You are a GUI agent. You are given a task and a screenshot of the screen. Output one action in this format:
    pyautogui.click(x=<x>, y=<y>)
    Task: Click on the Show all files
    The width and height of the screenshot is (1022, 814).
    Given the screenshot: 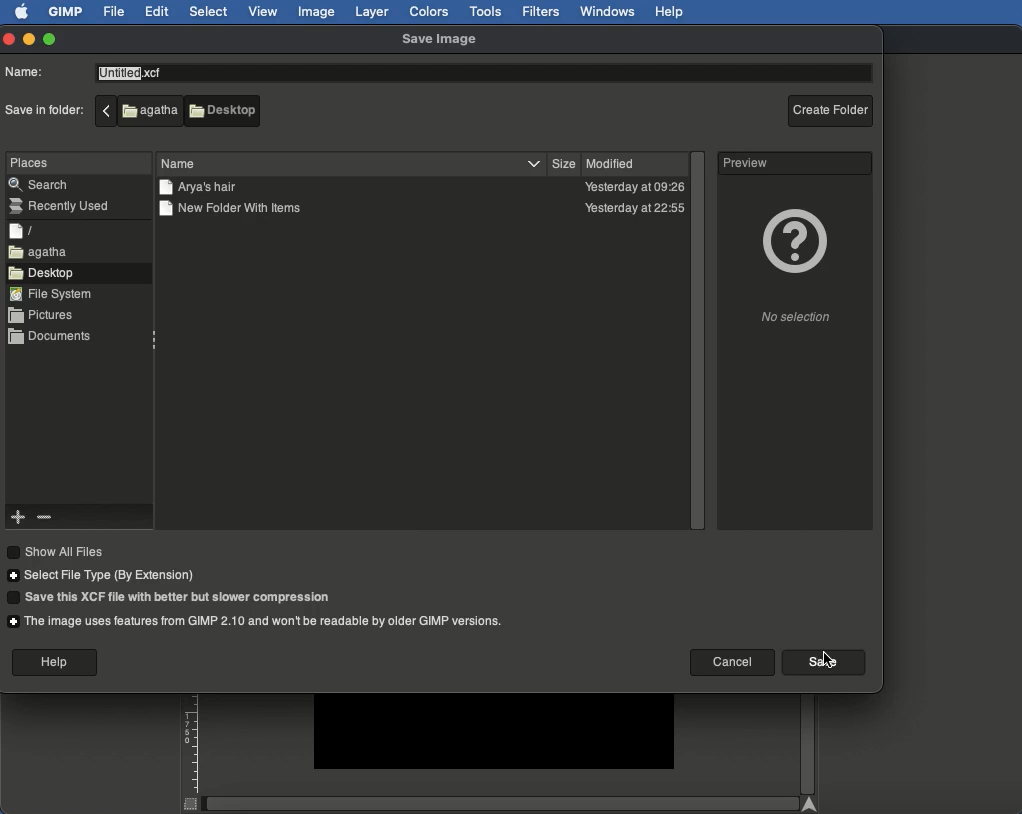 What is the action you would take?
    pyautogui.click(x=60, y=552)
    